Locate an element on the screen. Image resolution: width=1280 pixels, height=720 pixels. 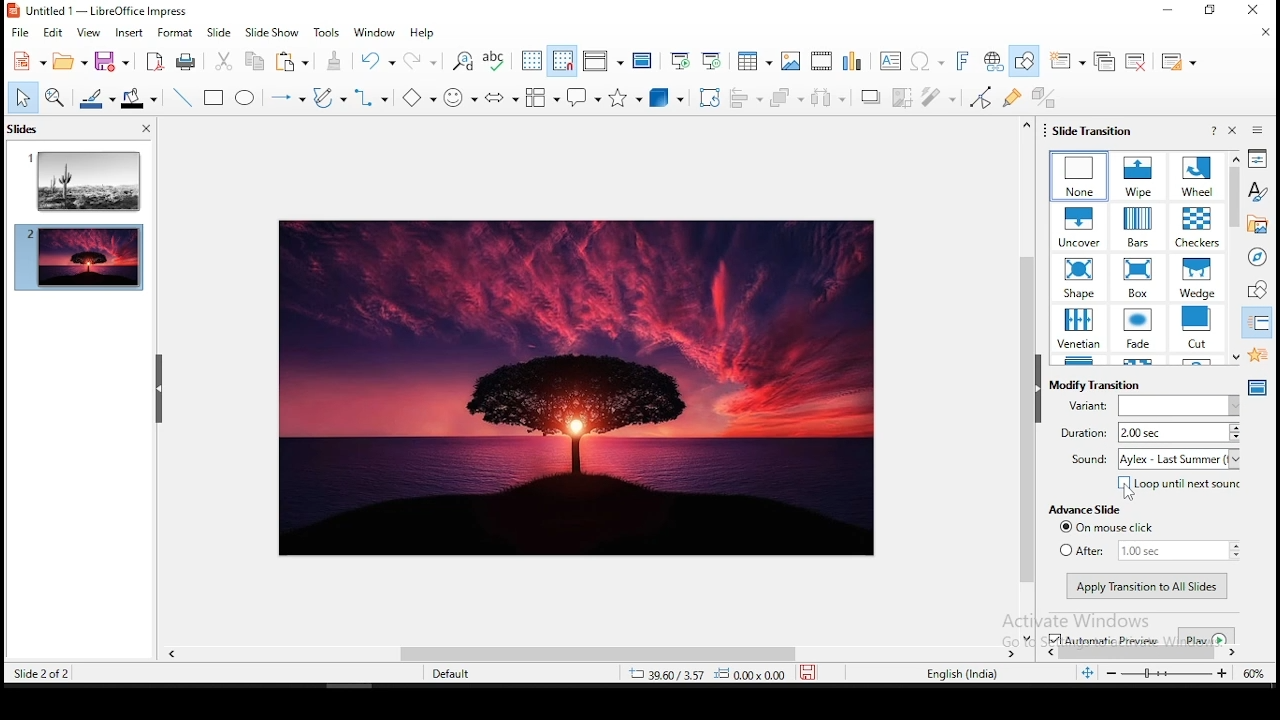
after 1.00 sec is located at coordinates (1147, 550).